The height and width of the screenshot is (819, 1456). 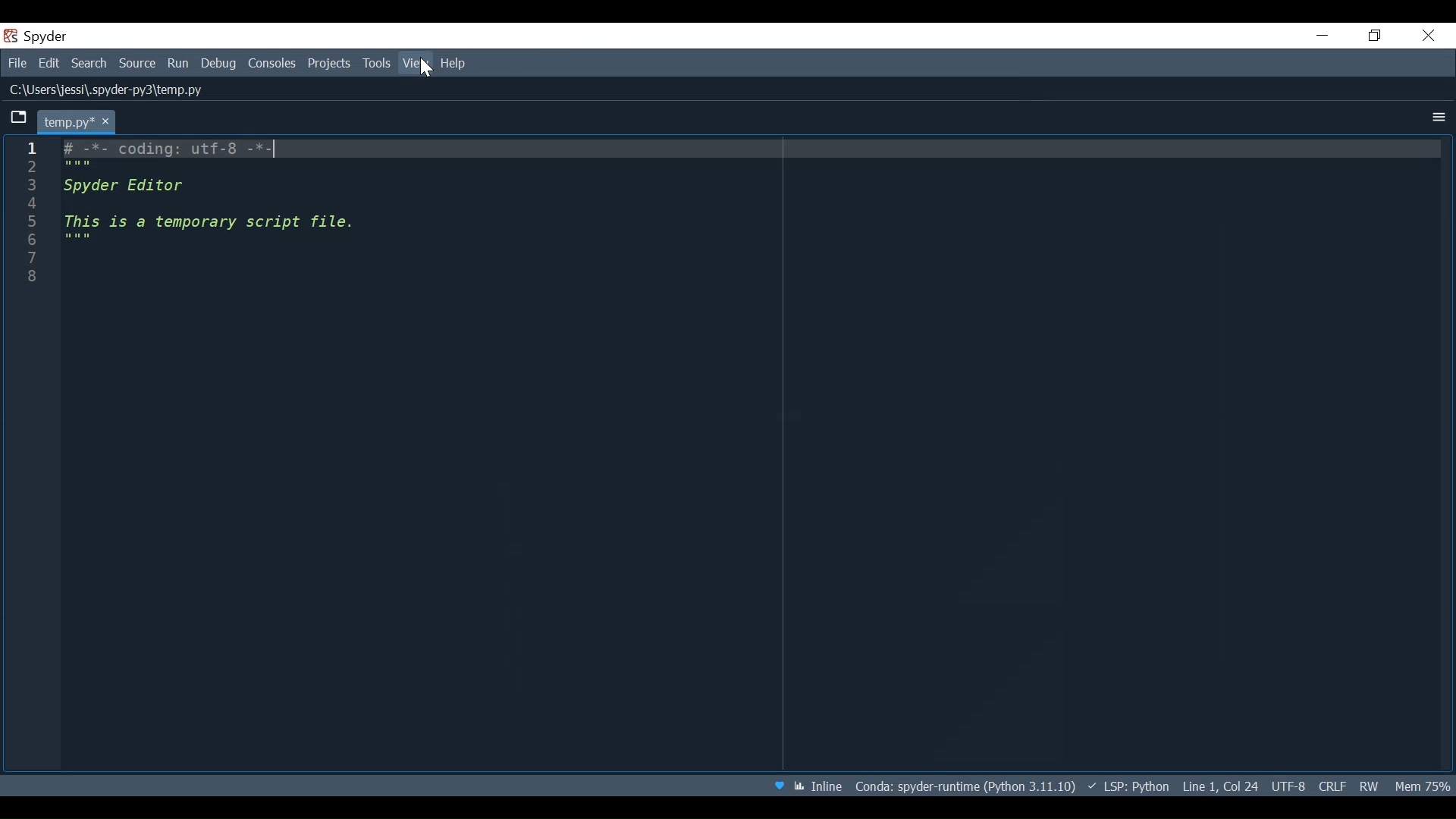 What do you see at coordinates (1287, 786) in the screenshot?
I see `File Encoding` at bounding box center [1287, 786].